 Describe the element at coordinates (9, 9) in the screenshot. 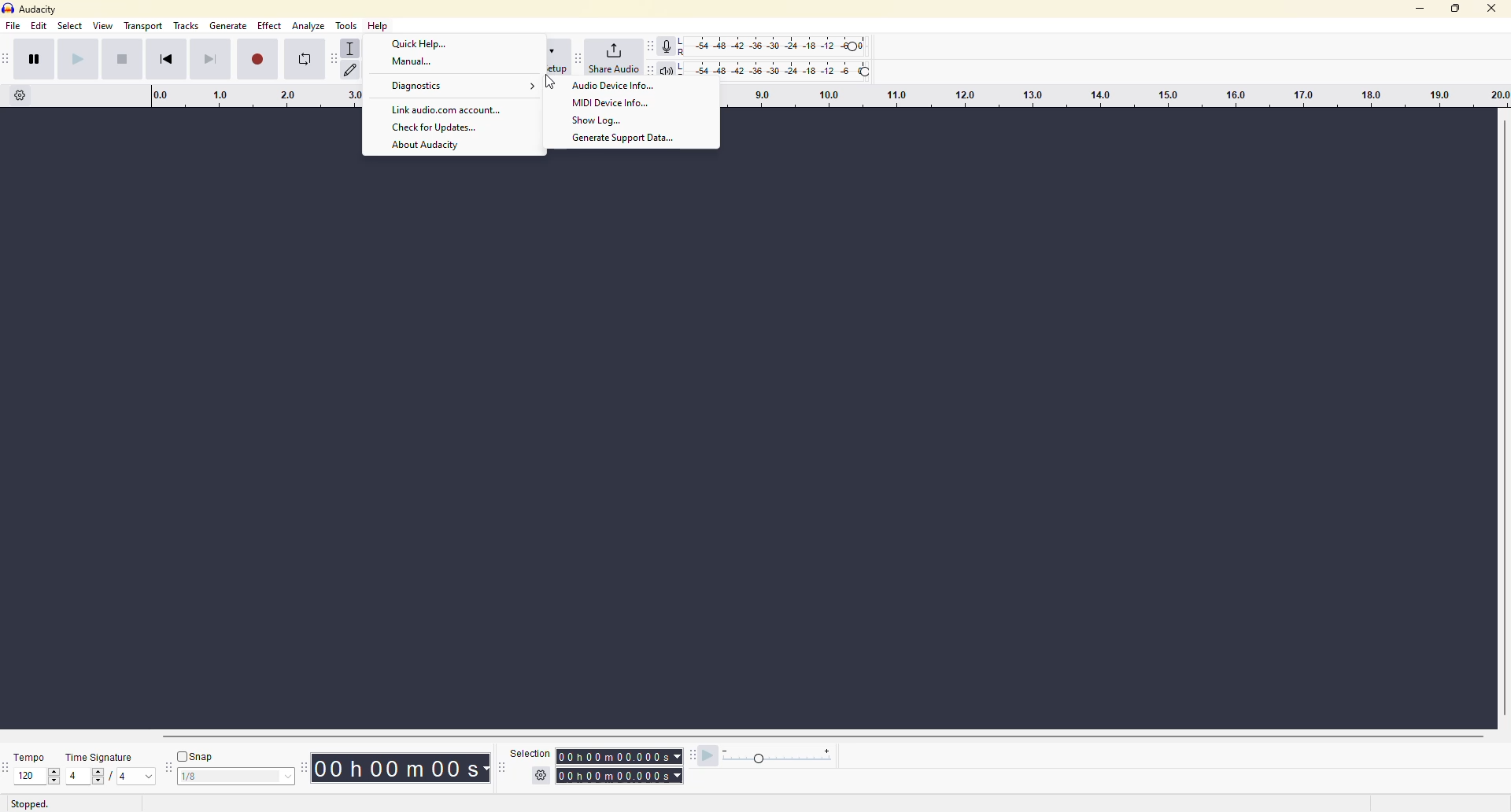

I see `audacity logo` at that location.